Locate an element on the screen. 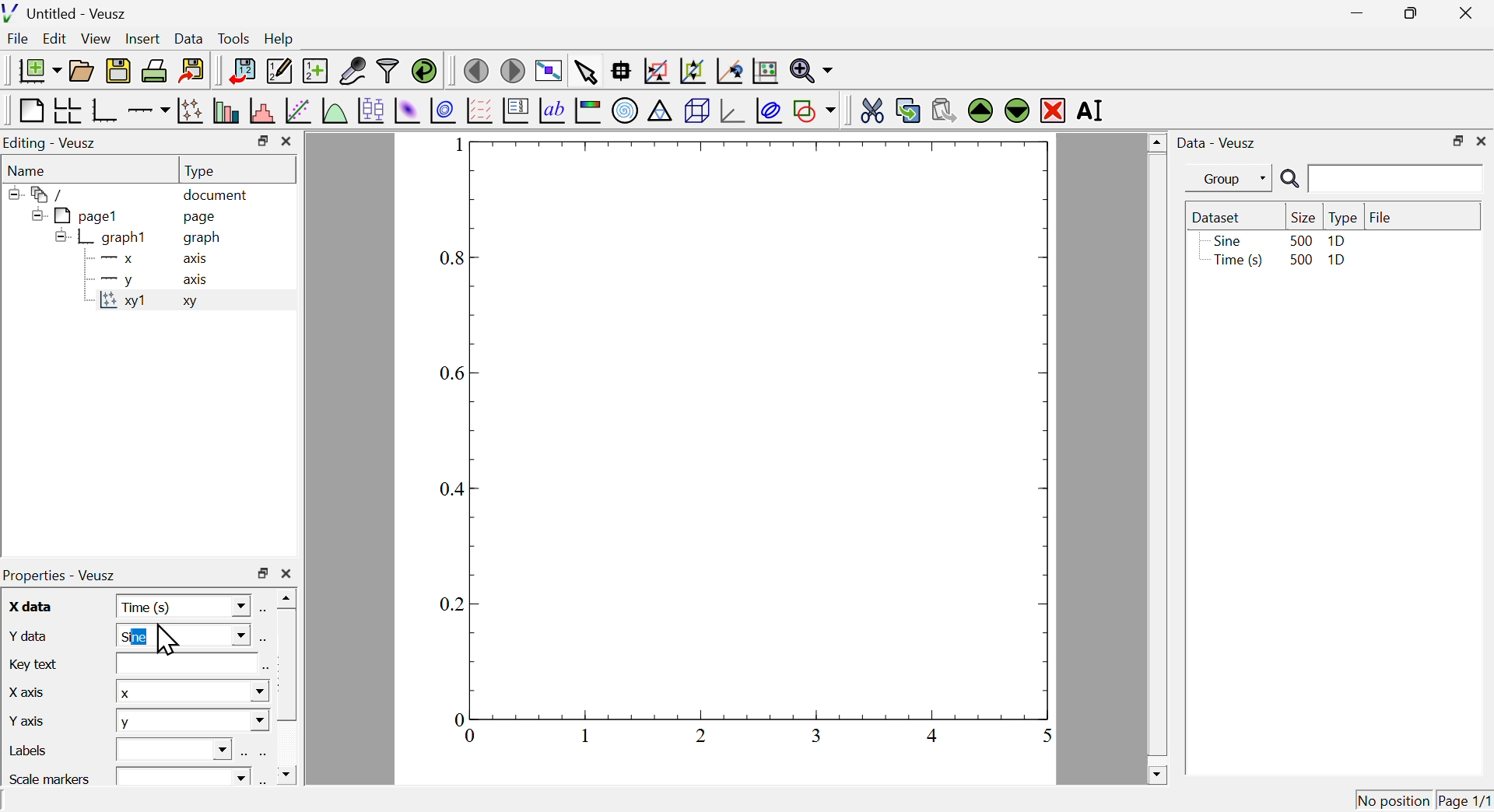  folder is located at coordinates (43, 194).